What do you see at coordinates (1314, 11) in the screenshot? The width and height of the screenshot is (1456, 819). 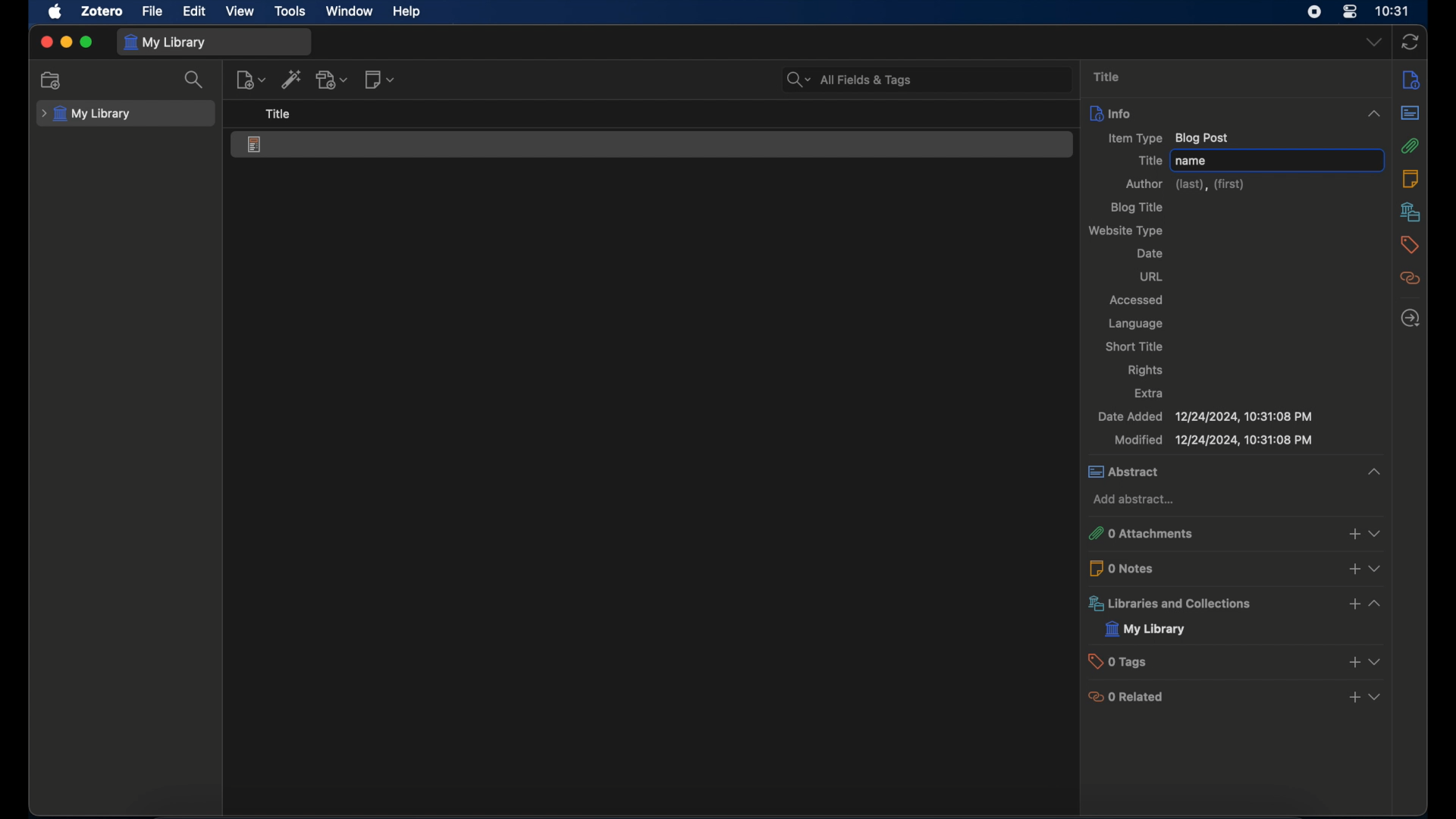 I see `screen recorder` at bounding box center [1314, 11].